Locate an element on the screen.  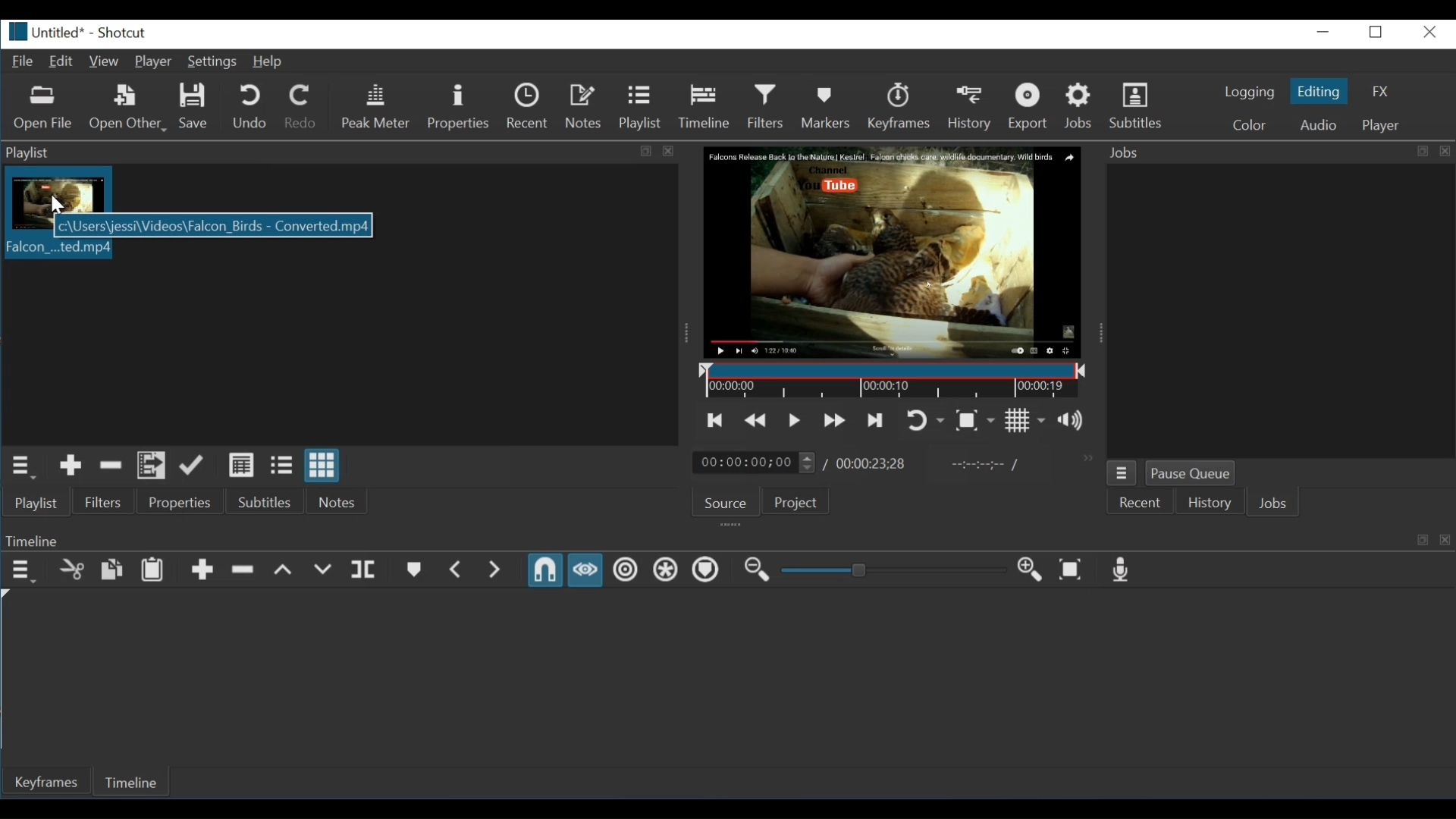
Timeline is located at coordinates (704, 105).